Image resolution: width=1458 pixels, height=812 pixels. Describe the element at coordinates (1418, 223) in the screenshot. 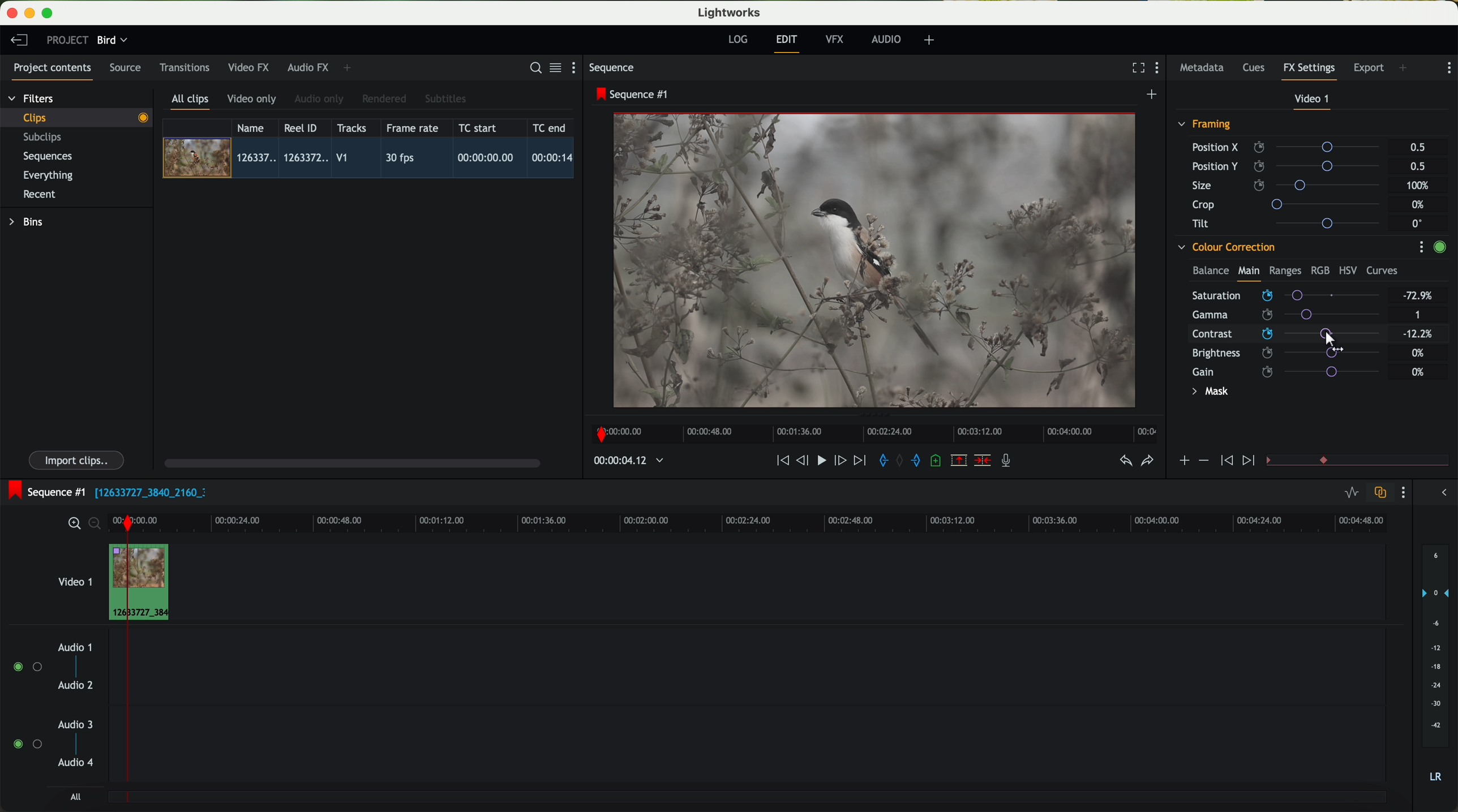

I see `0°` at that location.